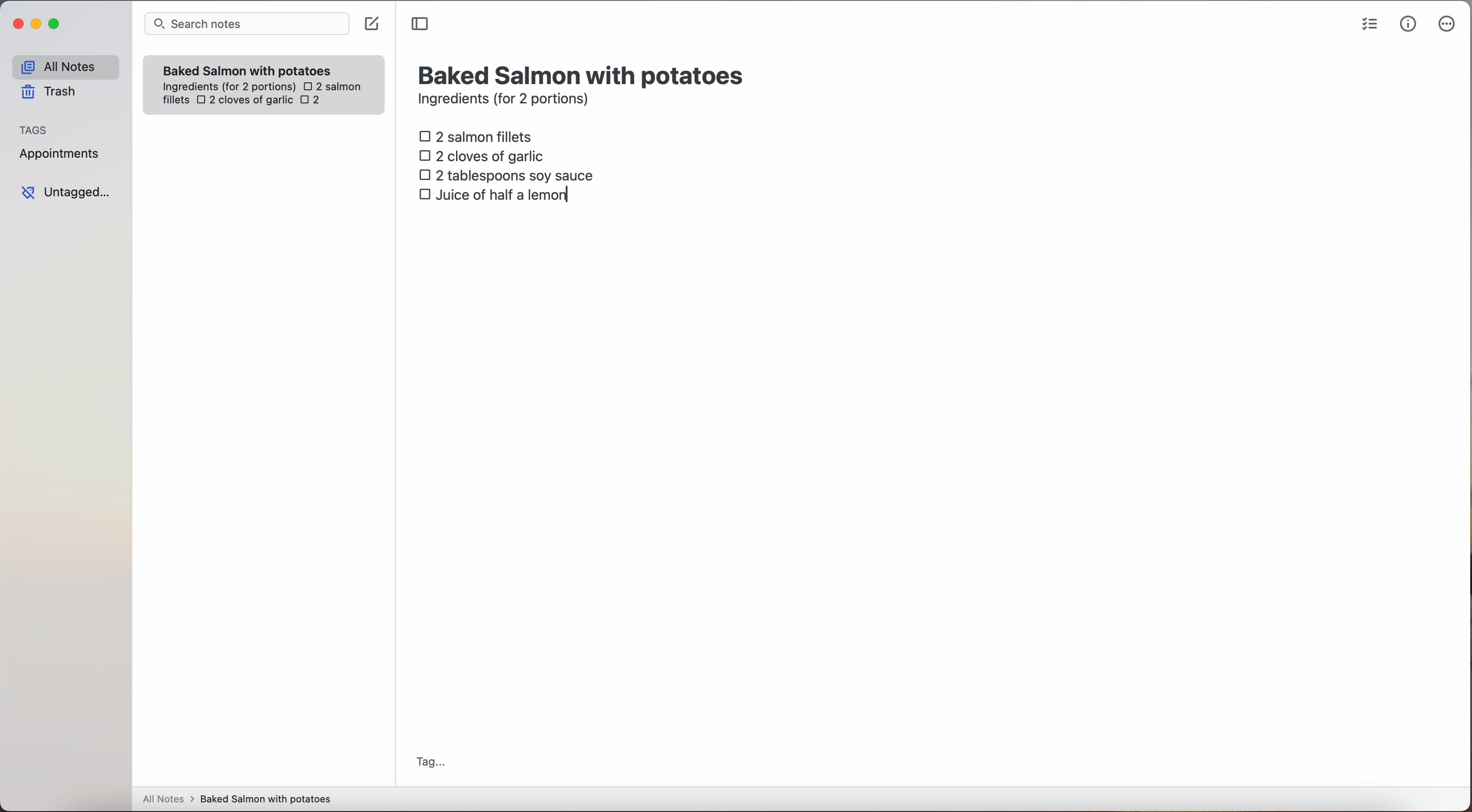 The image size is (1472, 812). What do you see at coordinates (506, 197) in the screenshot?
I see `juice of half a lemon` at bounding box center [506, 197].